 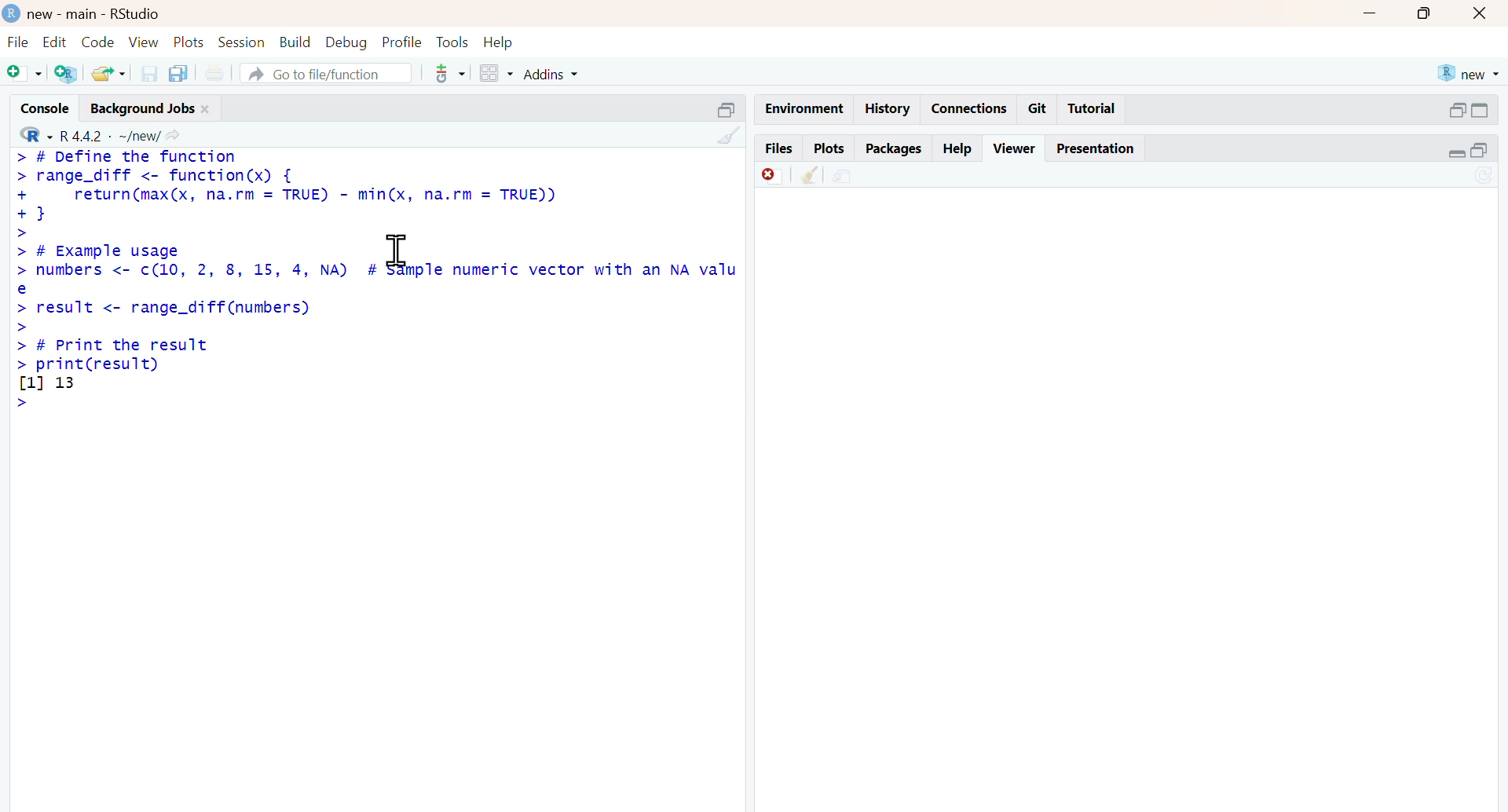 I want to click on edit, so click(x=55, y=42).